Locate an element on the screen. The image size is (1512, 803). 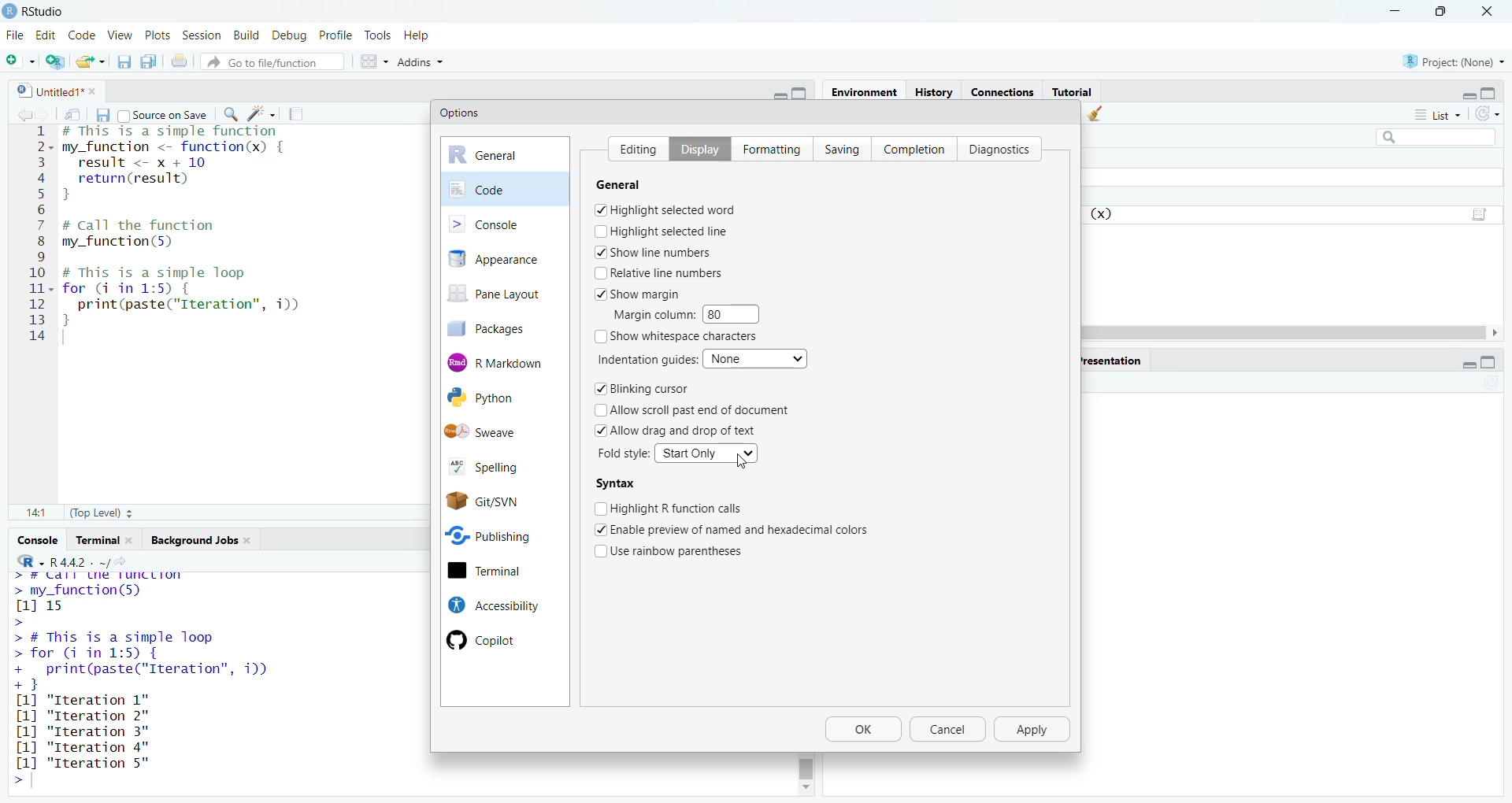
language select is located at coordinates (23, 561).